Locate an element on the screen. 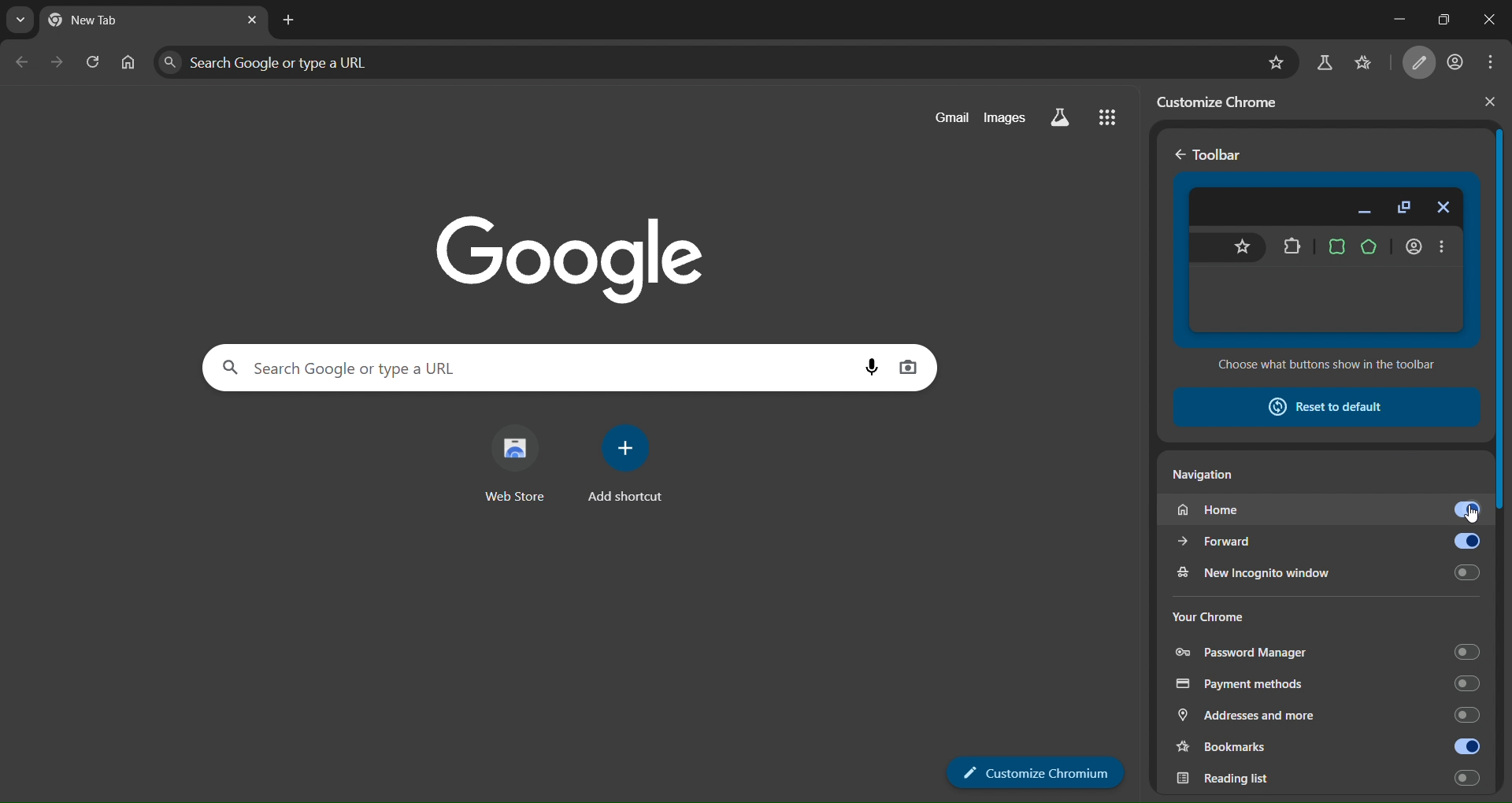 The width and height of the screenshot is (1512, 803). reload page is located at coordinates (94, 65).